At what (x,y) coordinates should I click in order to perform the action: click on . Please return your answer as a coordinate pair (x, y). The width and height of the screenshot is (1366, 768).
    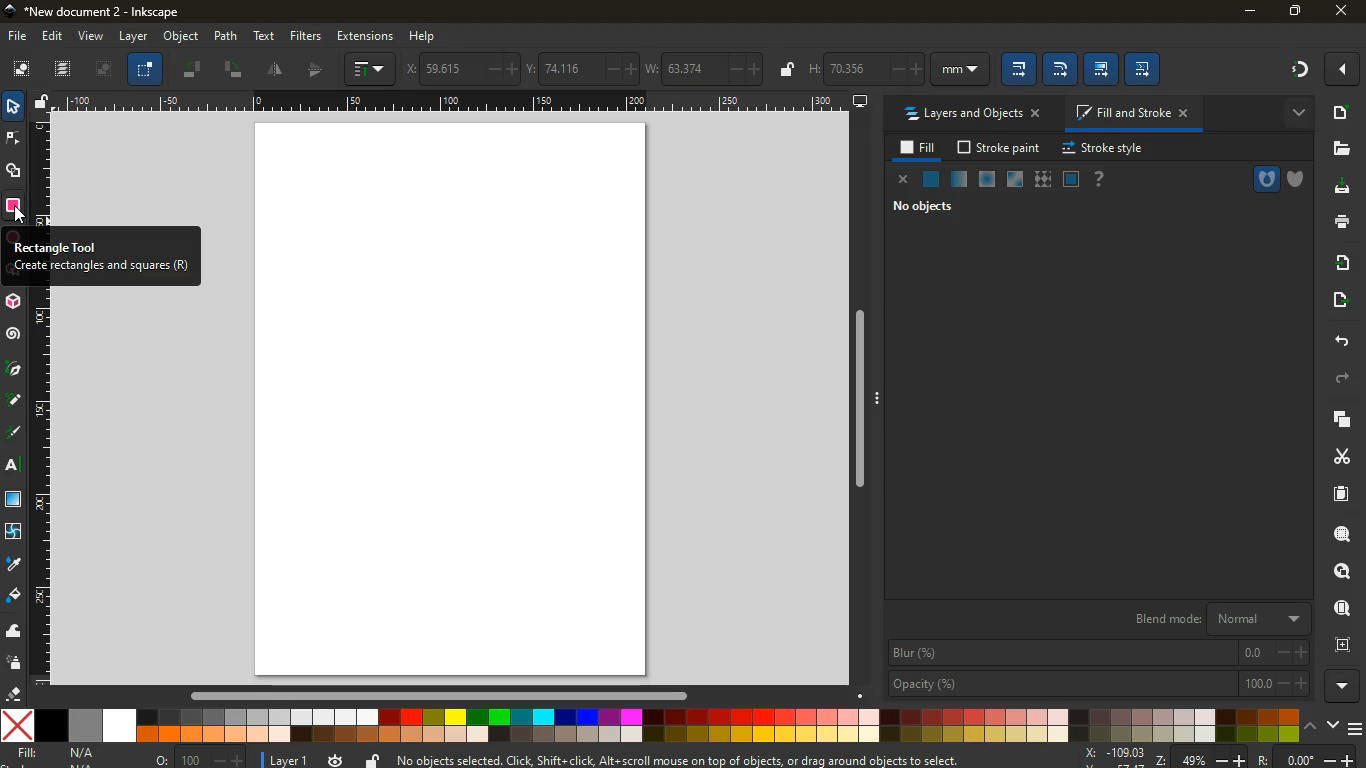
    Looking at the image, I should click on (857, 399).